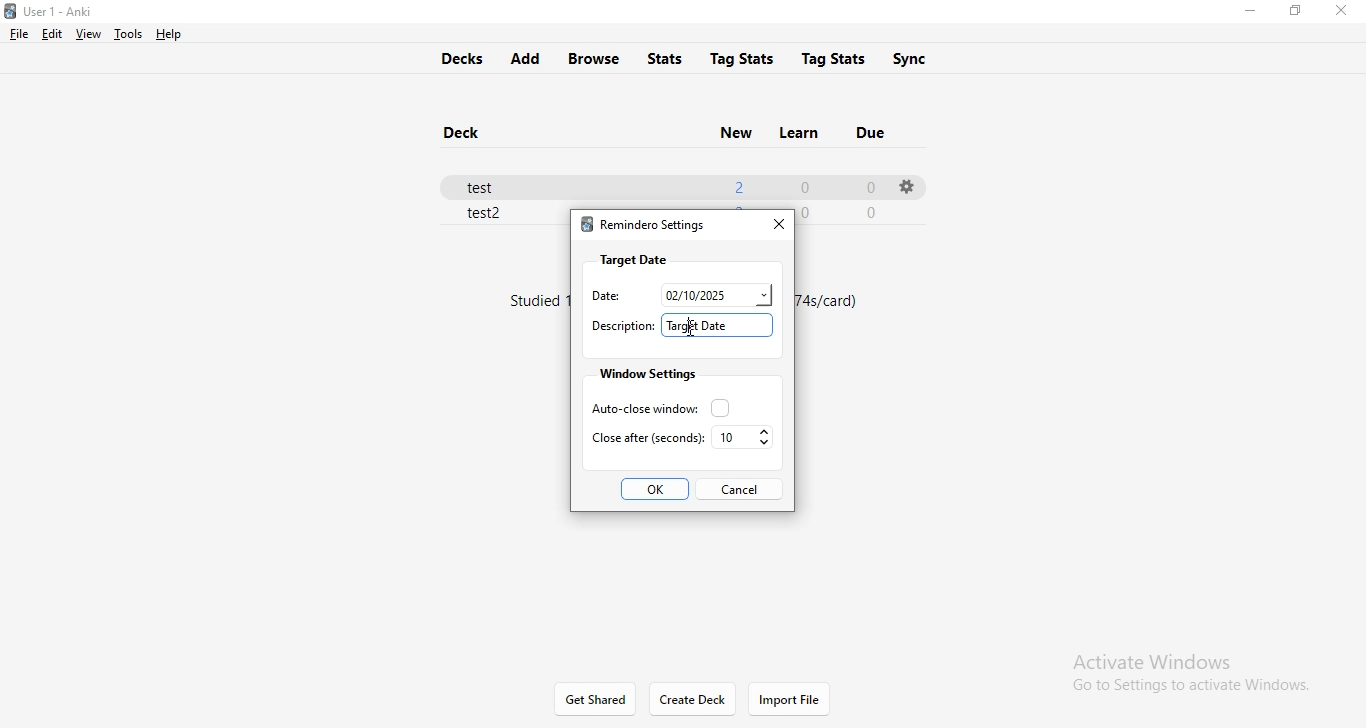 Image resolution: width=1366 pixels, height=728 pixels. What do you see at coordinates (601, 296) in the screenshot?
I see `date` at bounding box center [601, 296].